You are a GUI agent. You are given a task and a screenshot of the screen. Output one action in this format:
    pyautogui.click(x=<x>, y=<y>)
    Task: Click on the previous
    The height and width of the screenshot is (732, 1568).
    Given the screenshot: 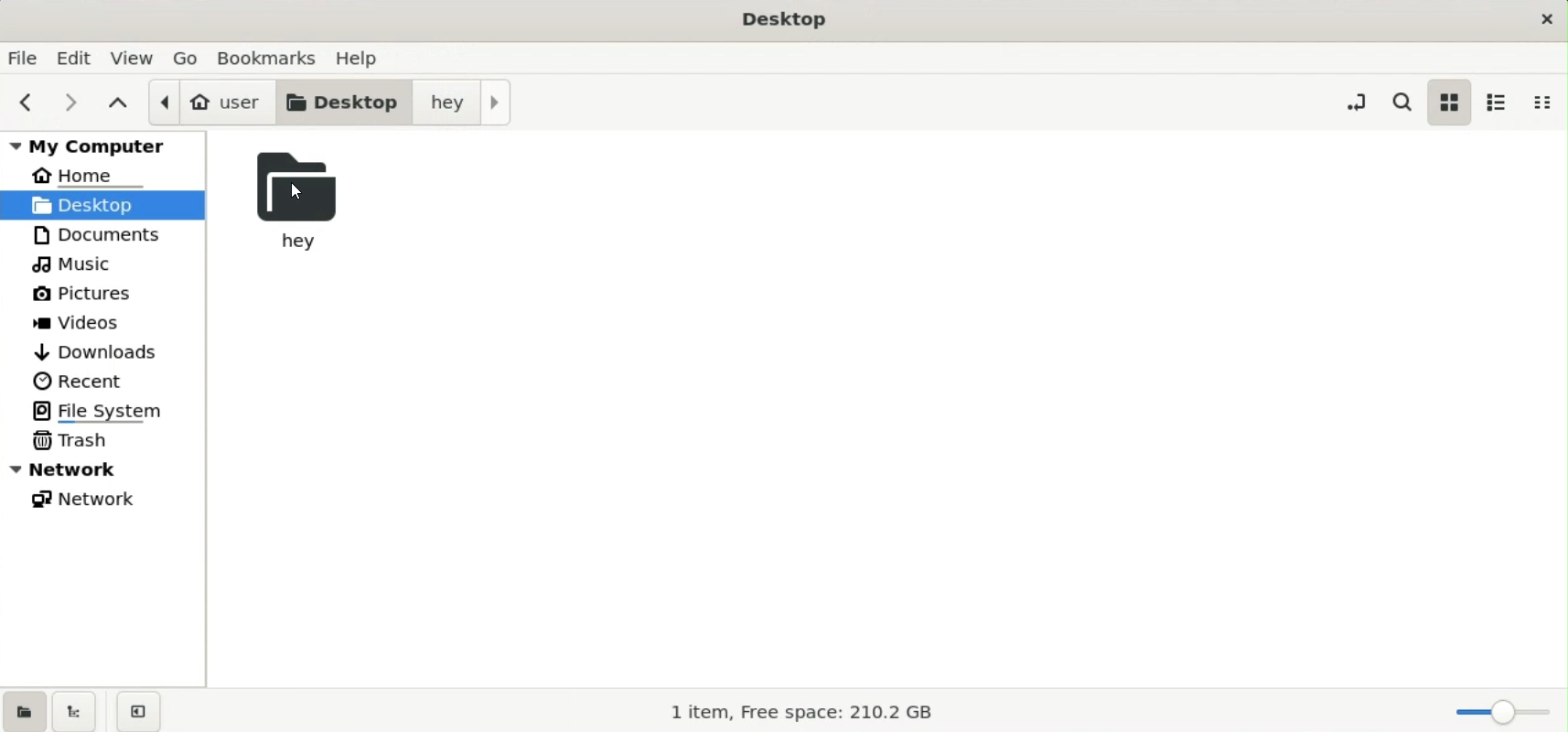 What is the action you would take?
    pyautogui.click(x=23, y=102)
    